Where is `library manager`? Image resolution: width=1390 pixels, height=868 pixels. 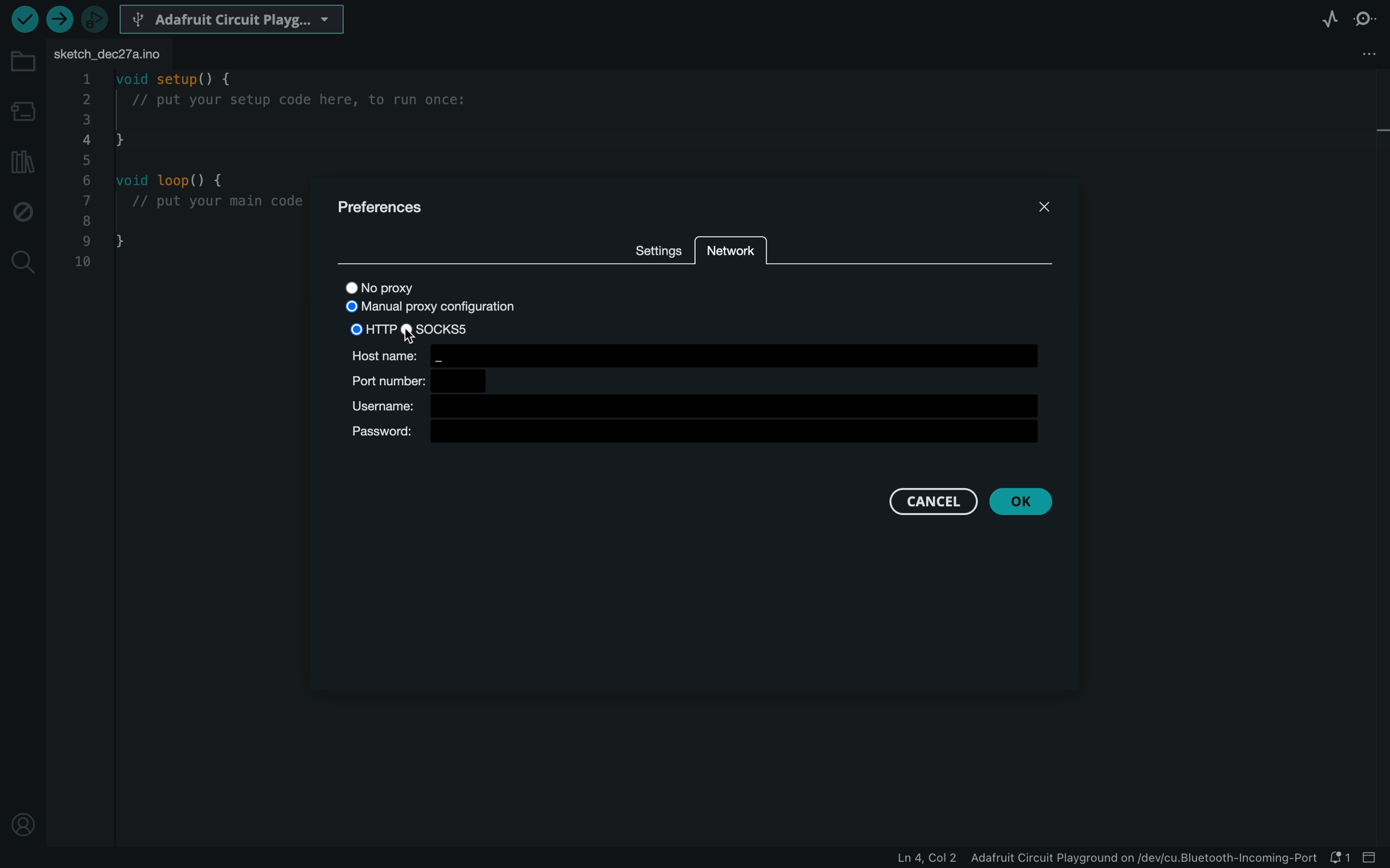 library manager is located at coordinates (23, 162).